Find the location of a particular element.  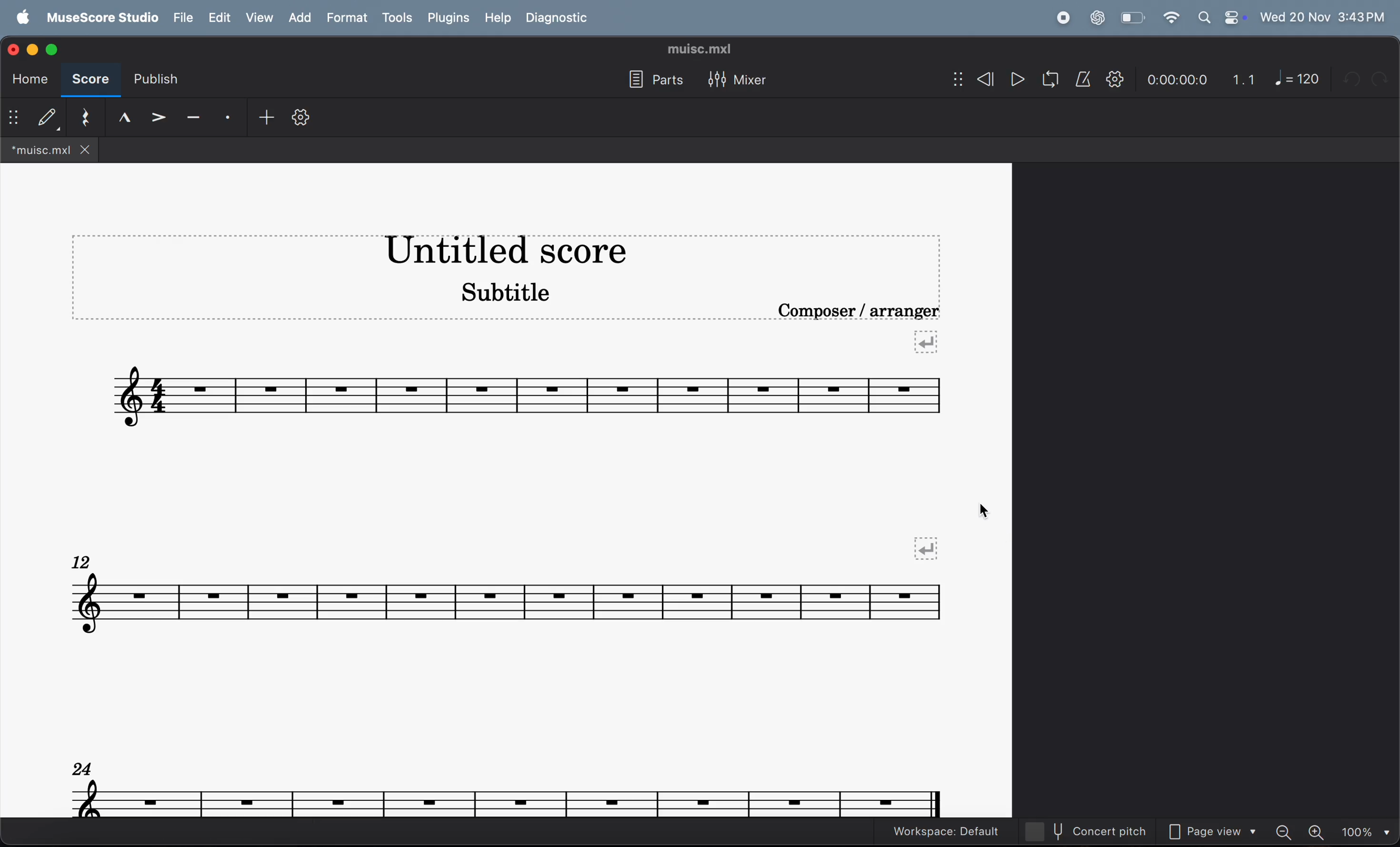

daignostic is located at coordinates (564, 18).